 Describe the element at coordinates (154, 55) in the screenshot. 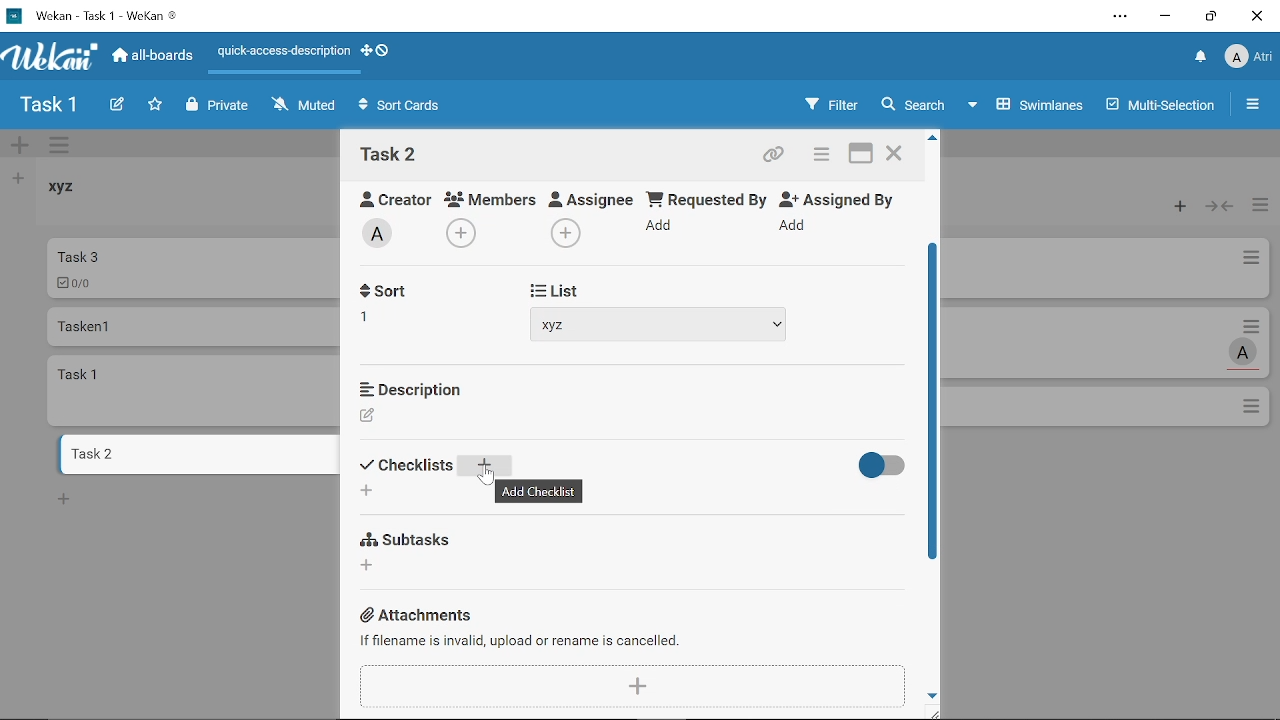

I see `All boards` at that location.